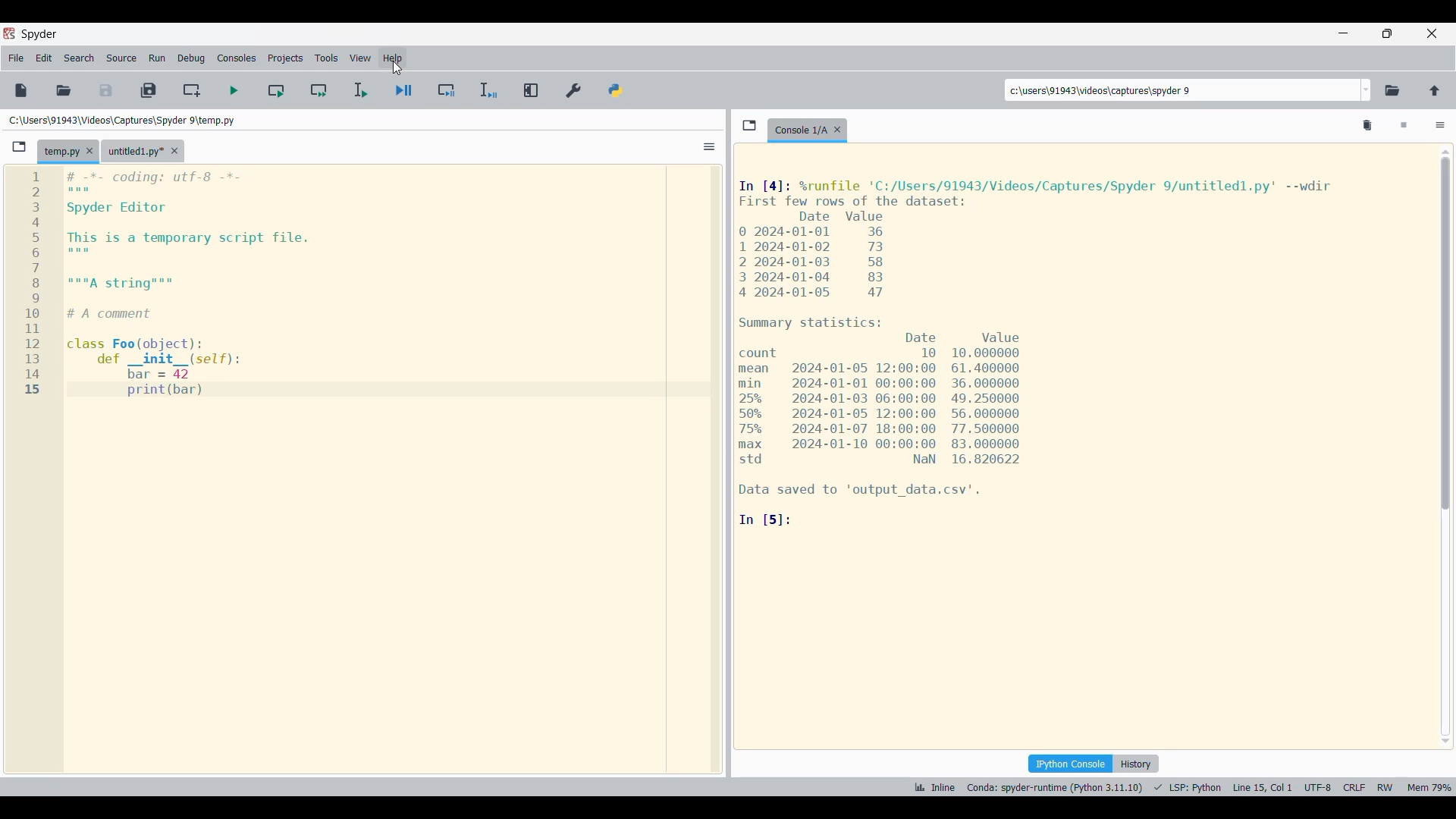  What do you see at coordinates (237, 58) in the screenshot?
I see `Consoles menu` at bounding box center [237, 58].